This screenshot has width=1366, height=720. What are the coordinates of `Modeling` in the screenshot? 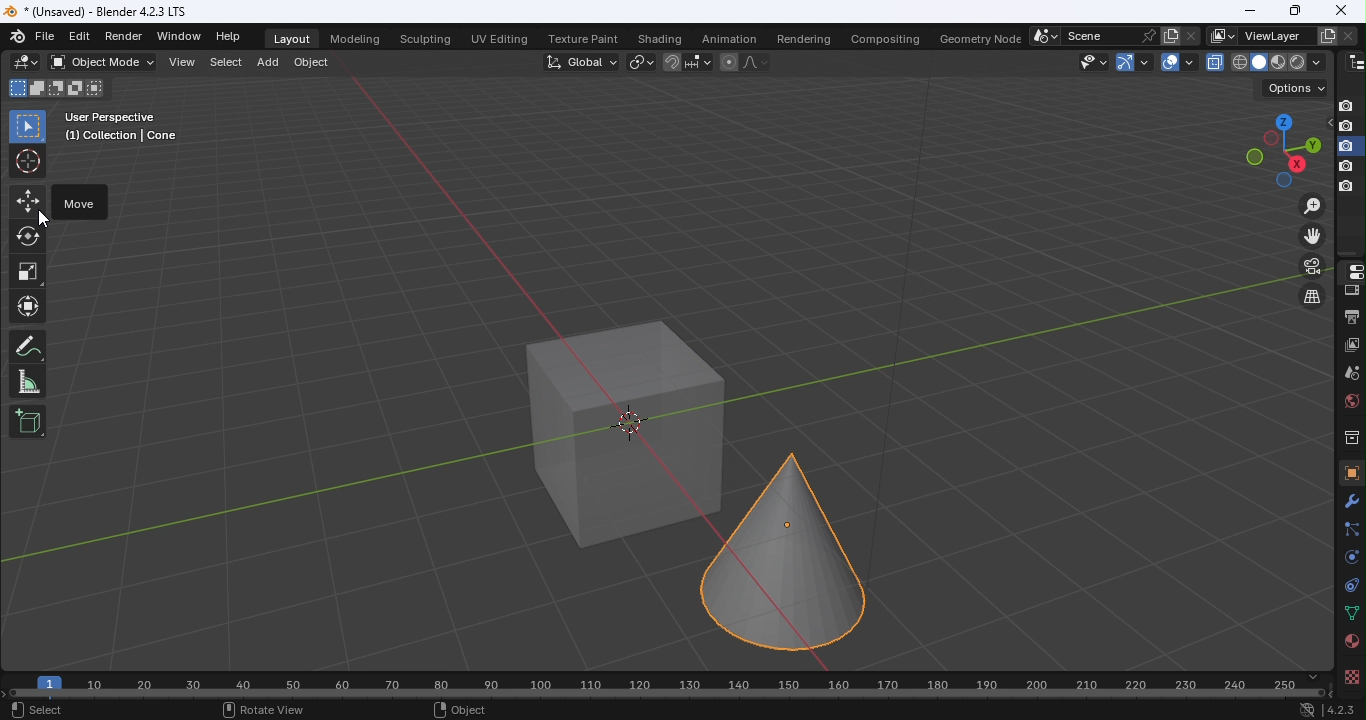 It's located at (353, 37).